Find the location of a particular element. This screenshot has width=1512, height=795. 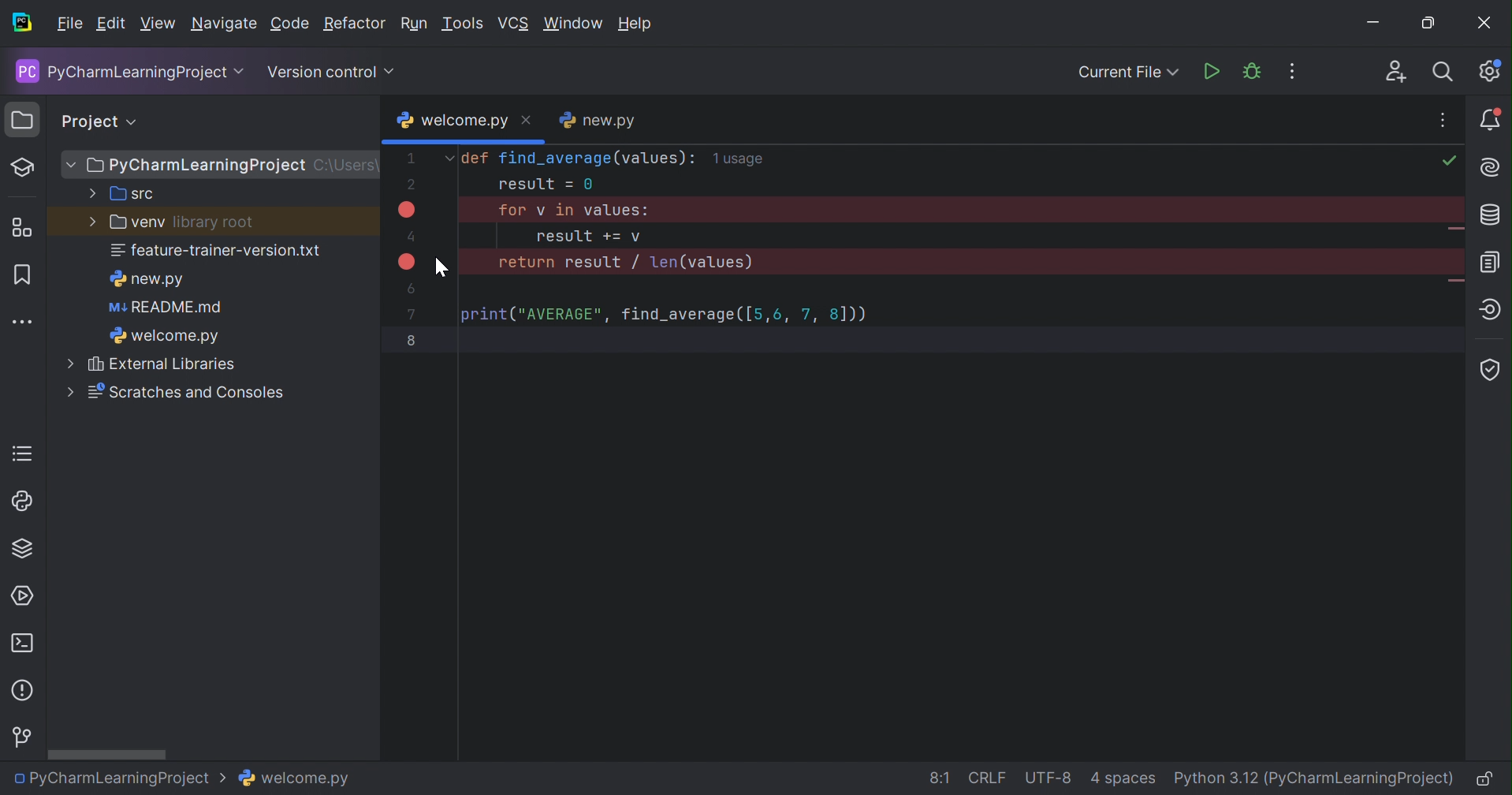

AI Assistant is located at coordinates (1489, 167).